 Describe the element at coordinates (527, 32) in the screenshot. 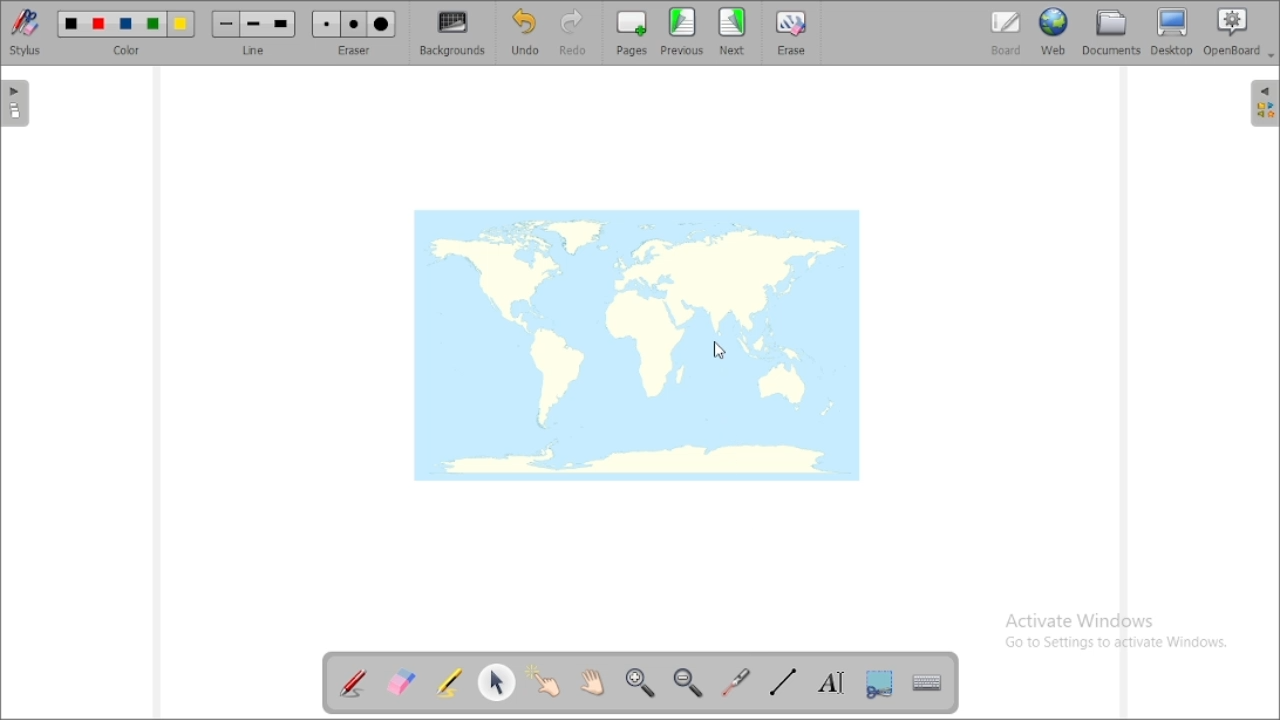

I see `undo` at that location.